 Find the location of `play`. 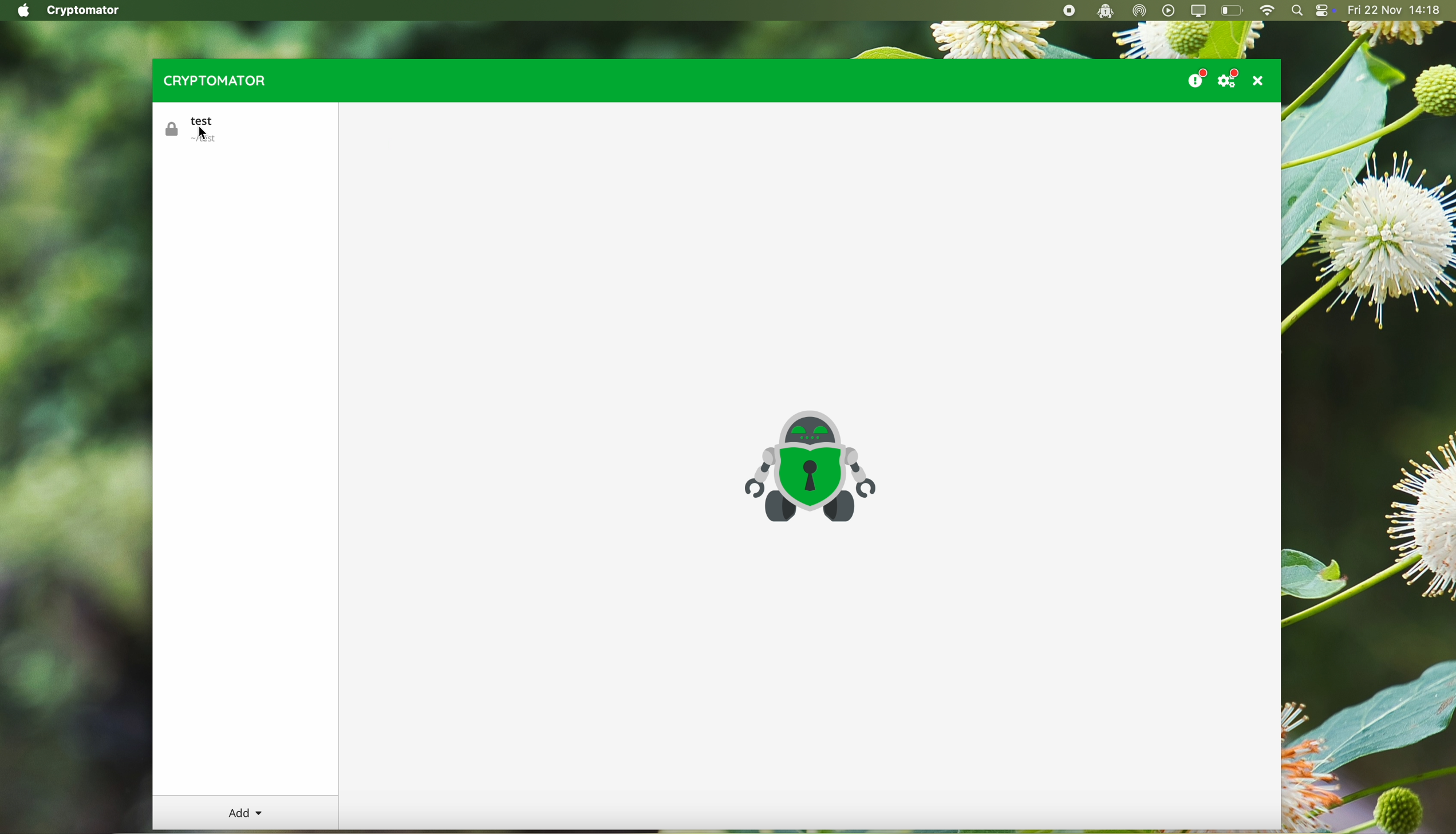

play is located at coordinates (1169, 10).